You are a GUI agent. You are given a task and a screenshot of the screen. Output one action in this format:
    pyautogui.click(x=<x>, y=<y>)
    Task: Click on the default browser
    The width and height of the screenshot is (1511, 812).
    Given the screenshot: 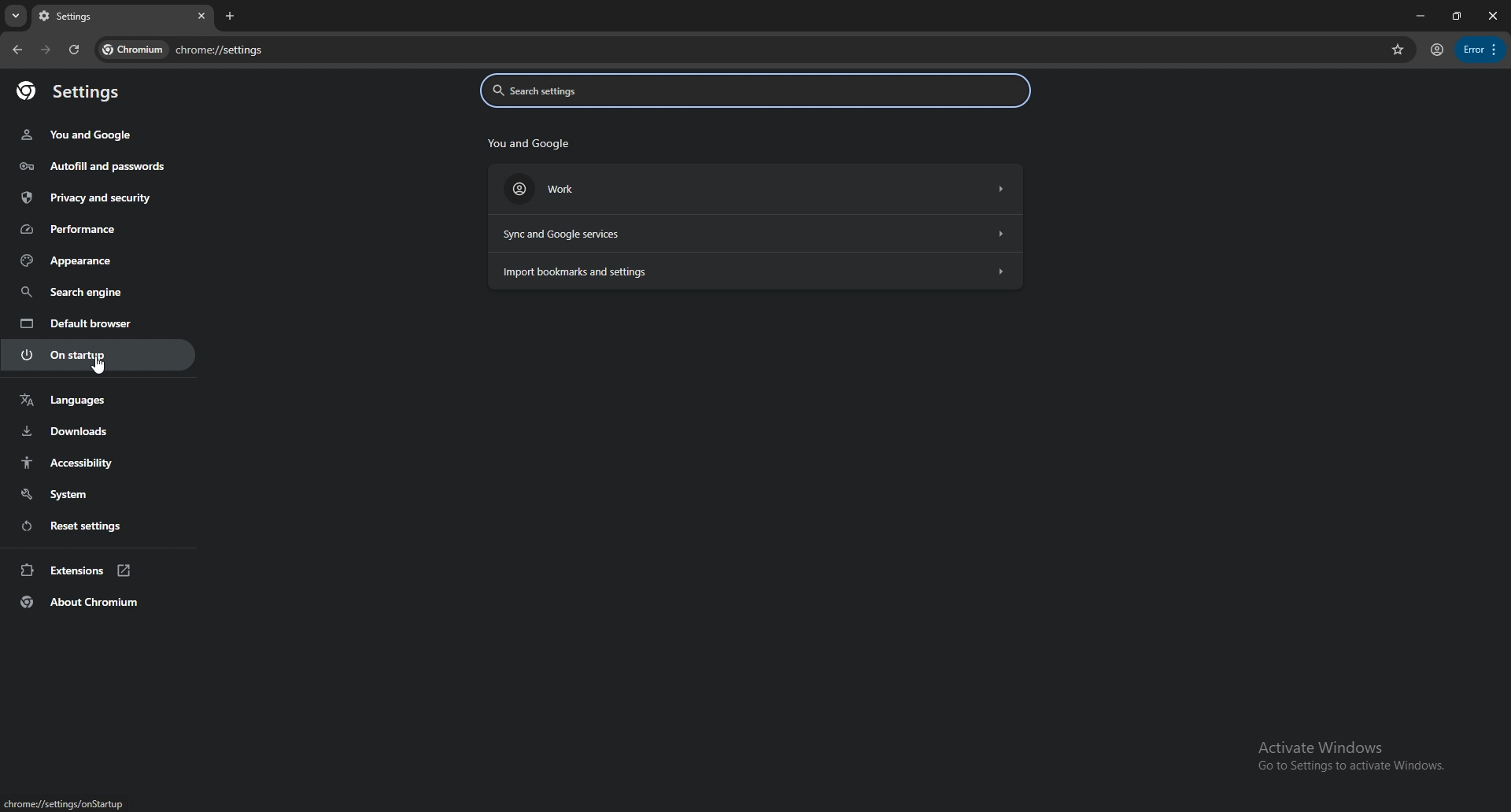 What is the action you would take?
    pyautogui.click(x=98, y=323)
    